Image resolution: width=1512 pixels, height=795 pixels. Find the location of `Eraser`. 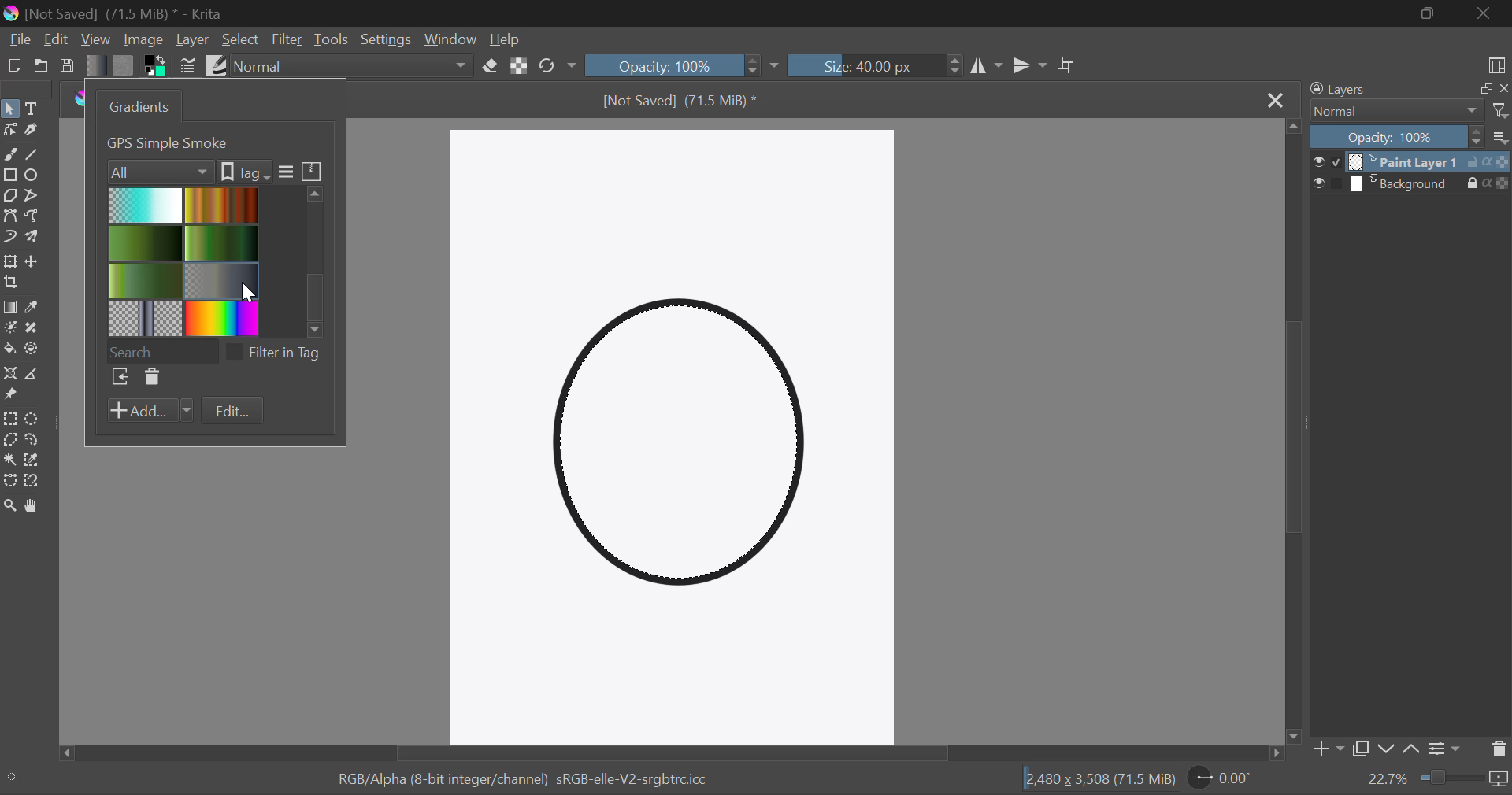

Eraser is located at coordinates (490, 66).